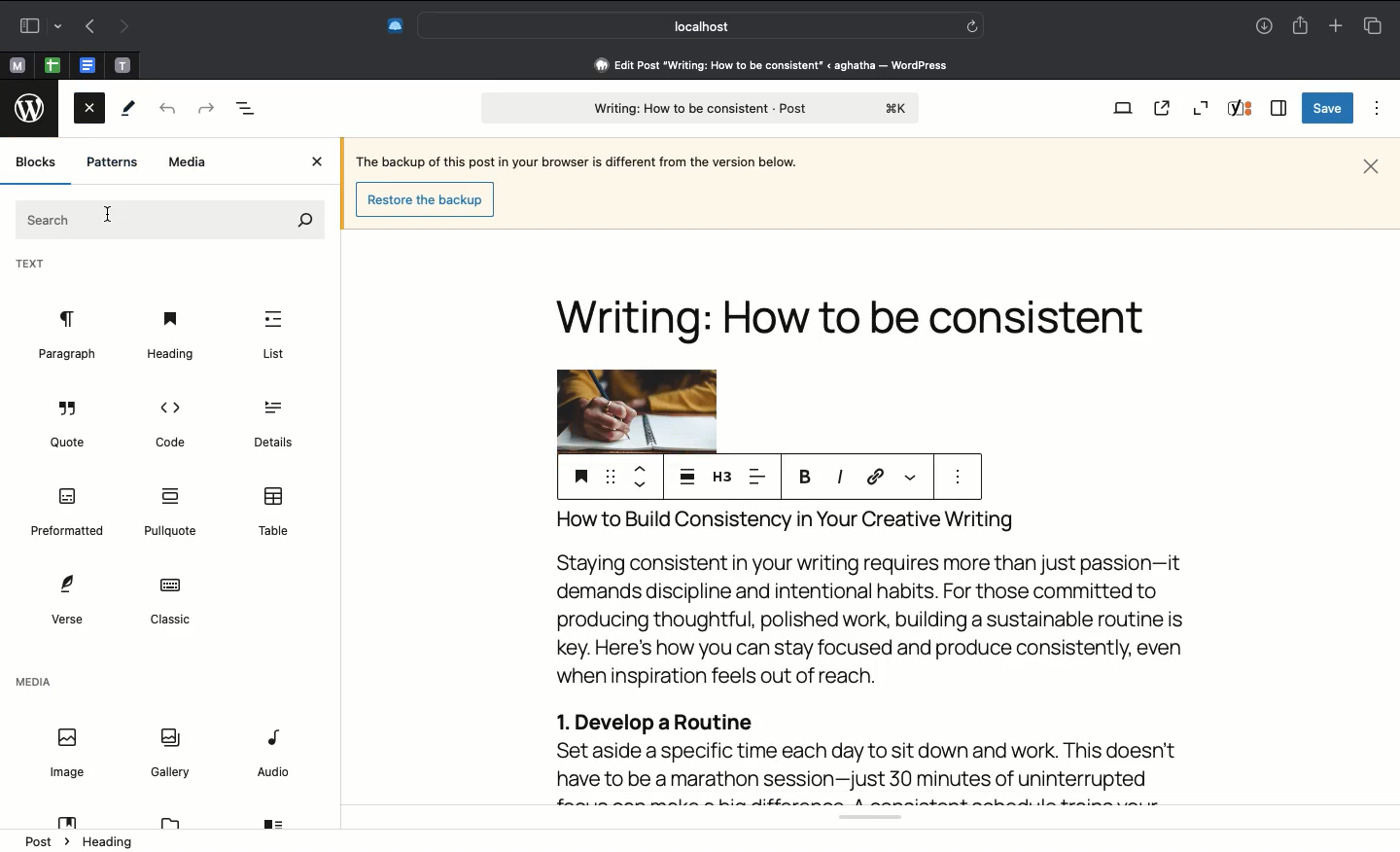  What do you see at coordinates (721, 476) in the screenshot?
I see `H3` at bounding box center [721, 476].